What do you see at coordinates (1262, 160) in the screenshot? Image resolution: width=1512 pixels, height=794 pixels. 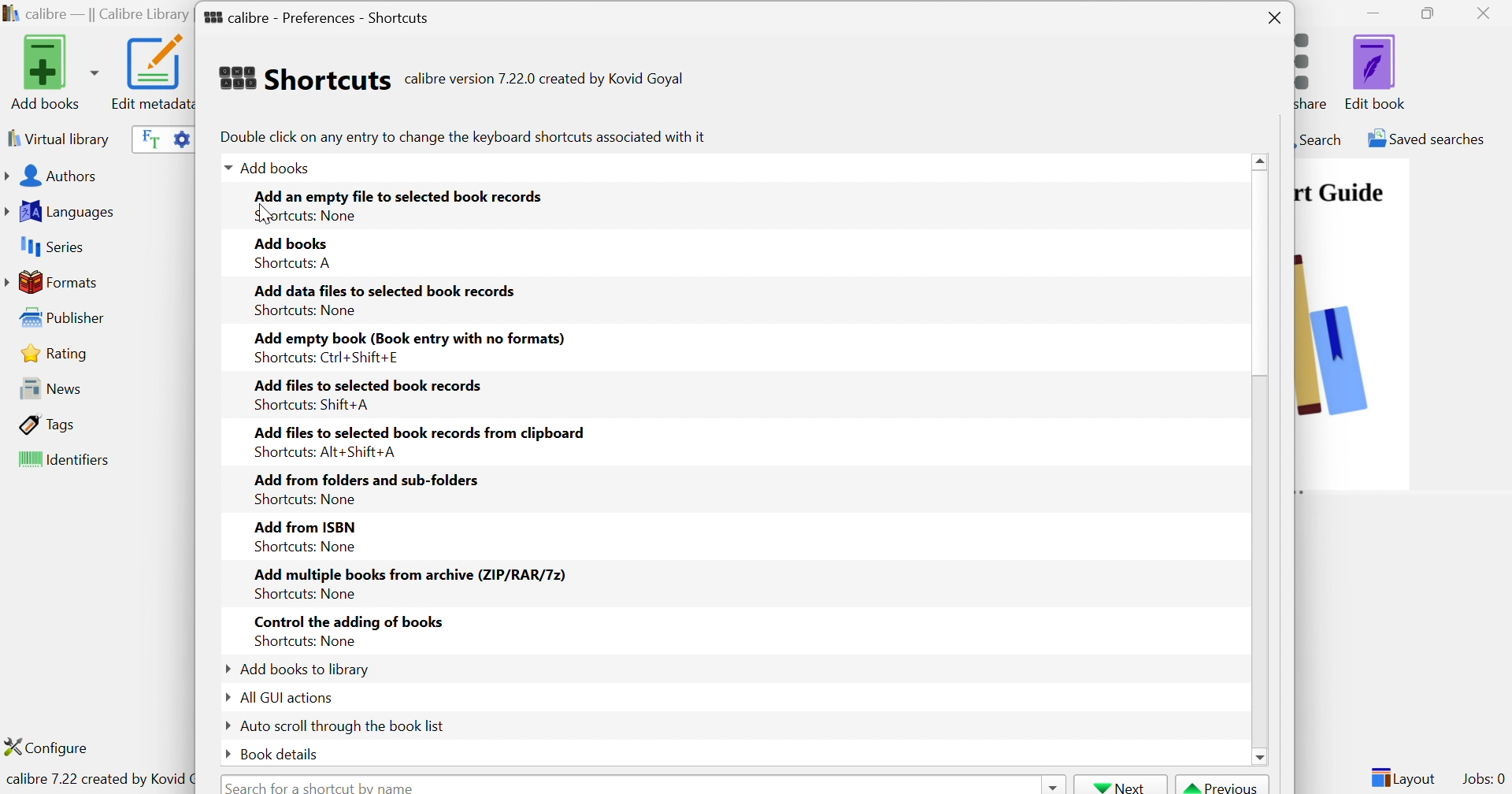 I see `Scroll Up` at bounding box center [1262, 160].